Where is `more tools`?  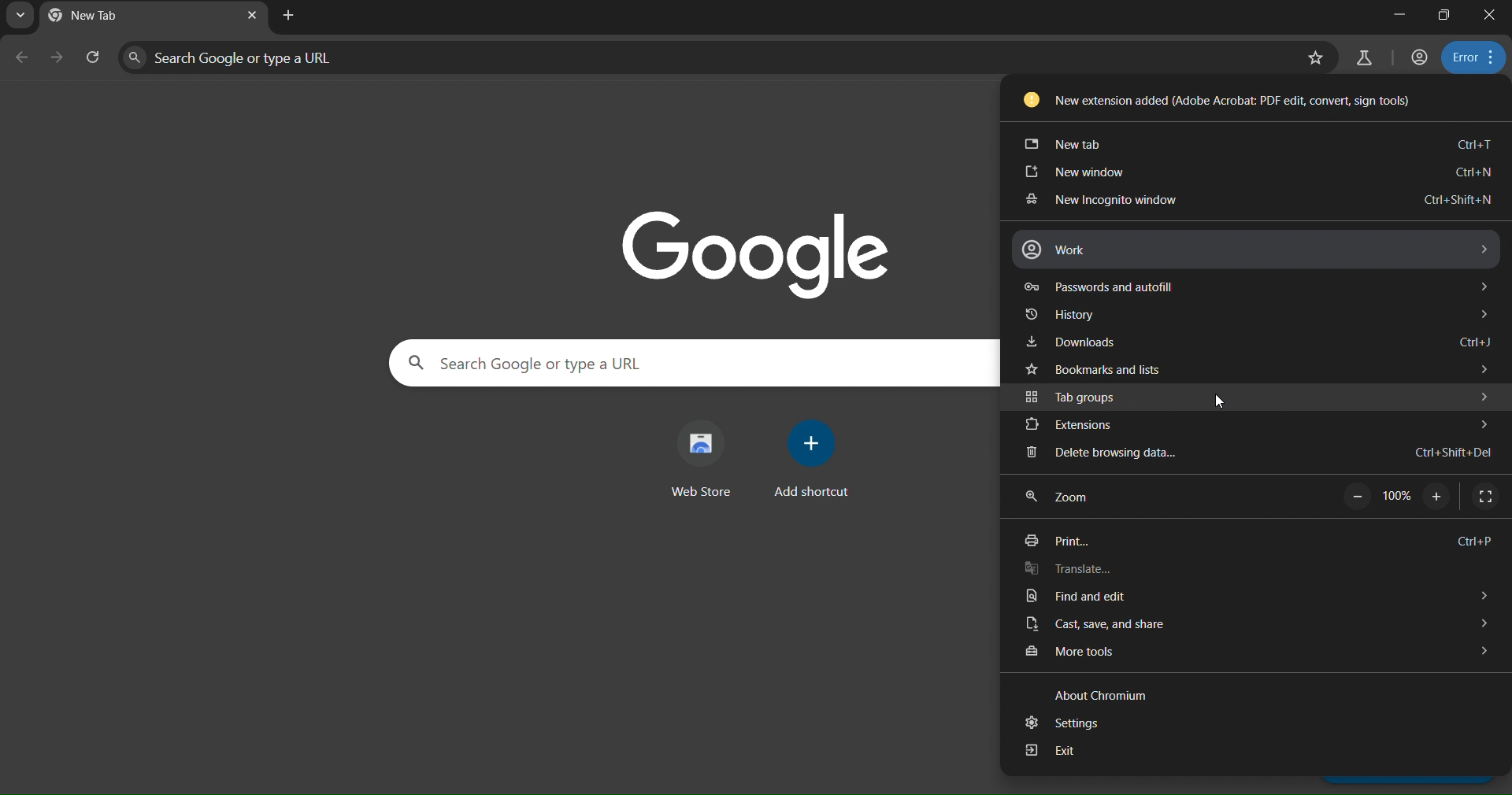
more tools is located at coordinates (1253, 653).